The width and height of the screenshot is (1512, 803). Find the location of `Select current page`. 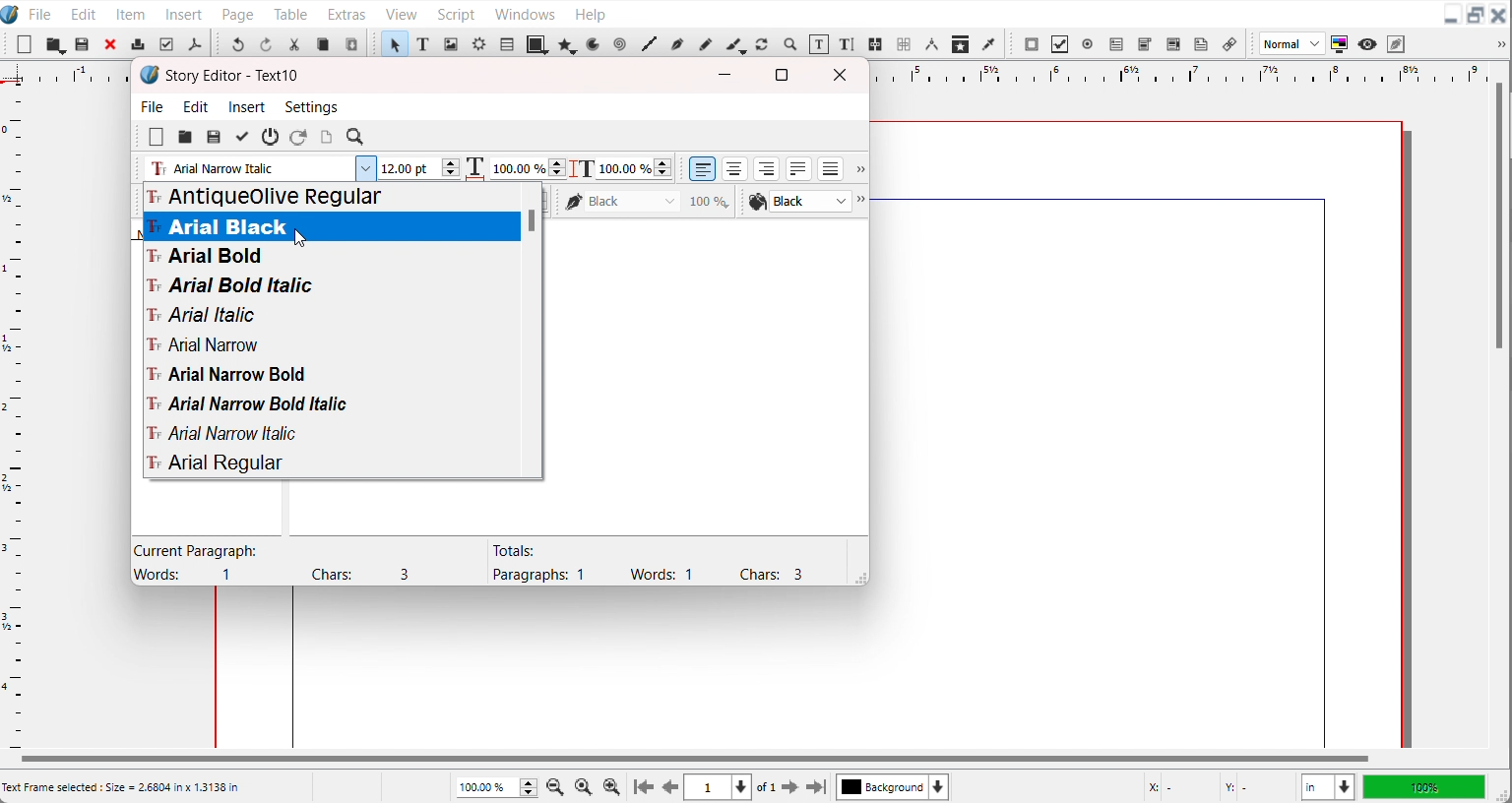

Select current page is located at coordinates (718, 787).